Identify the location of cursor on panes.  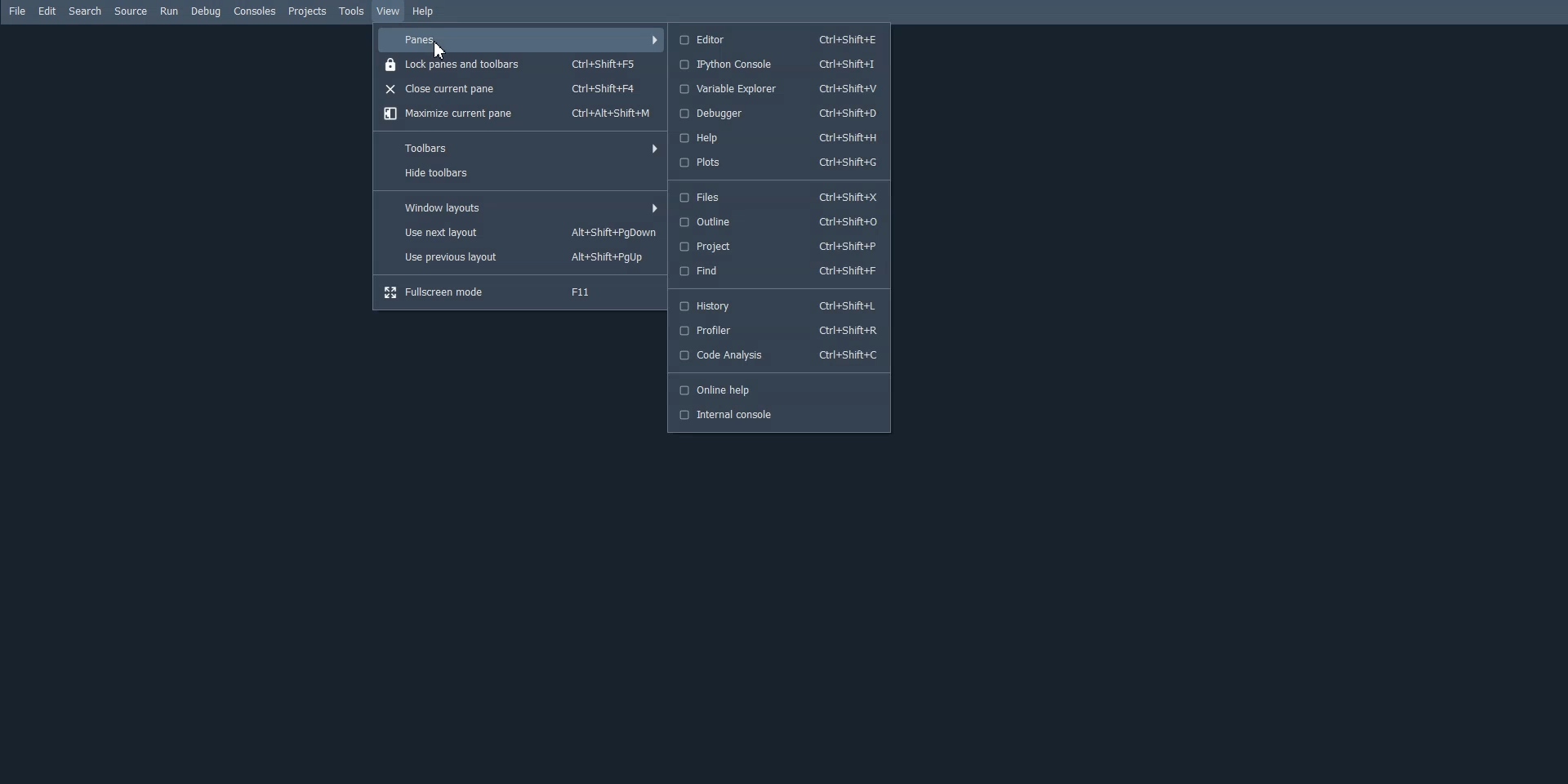
(445, 55).